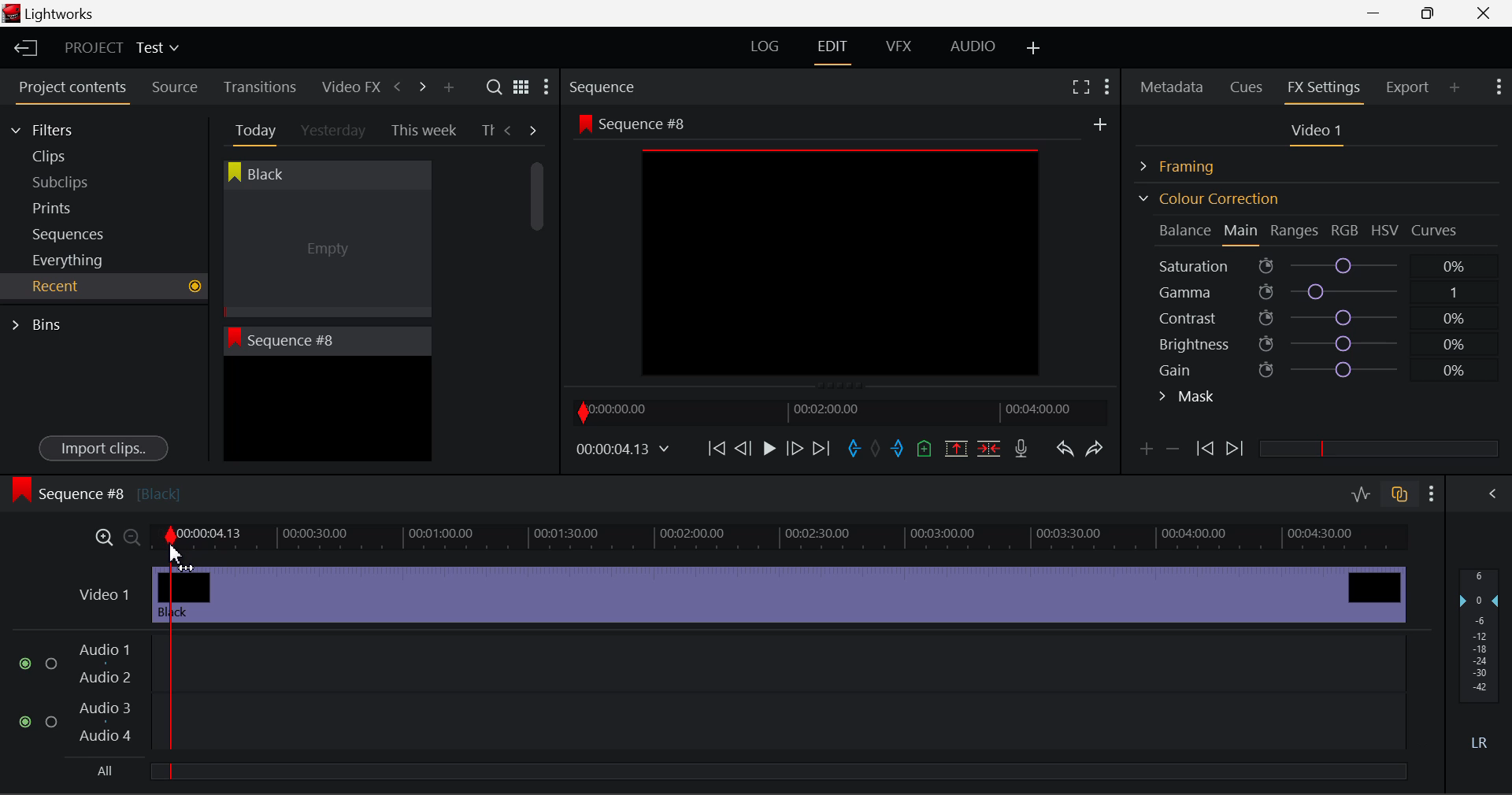 The width and height of the screenshot is (1512, 795). I want to click on Show Settings, so click(1106, 84).